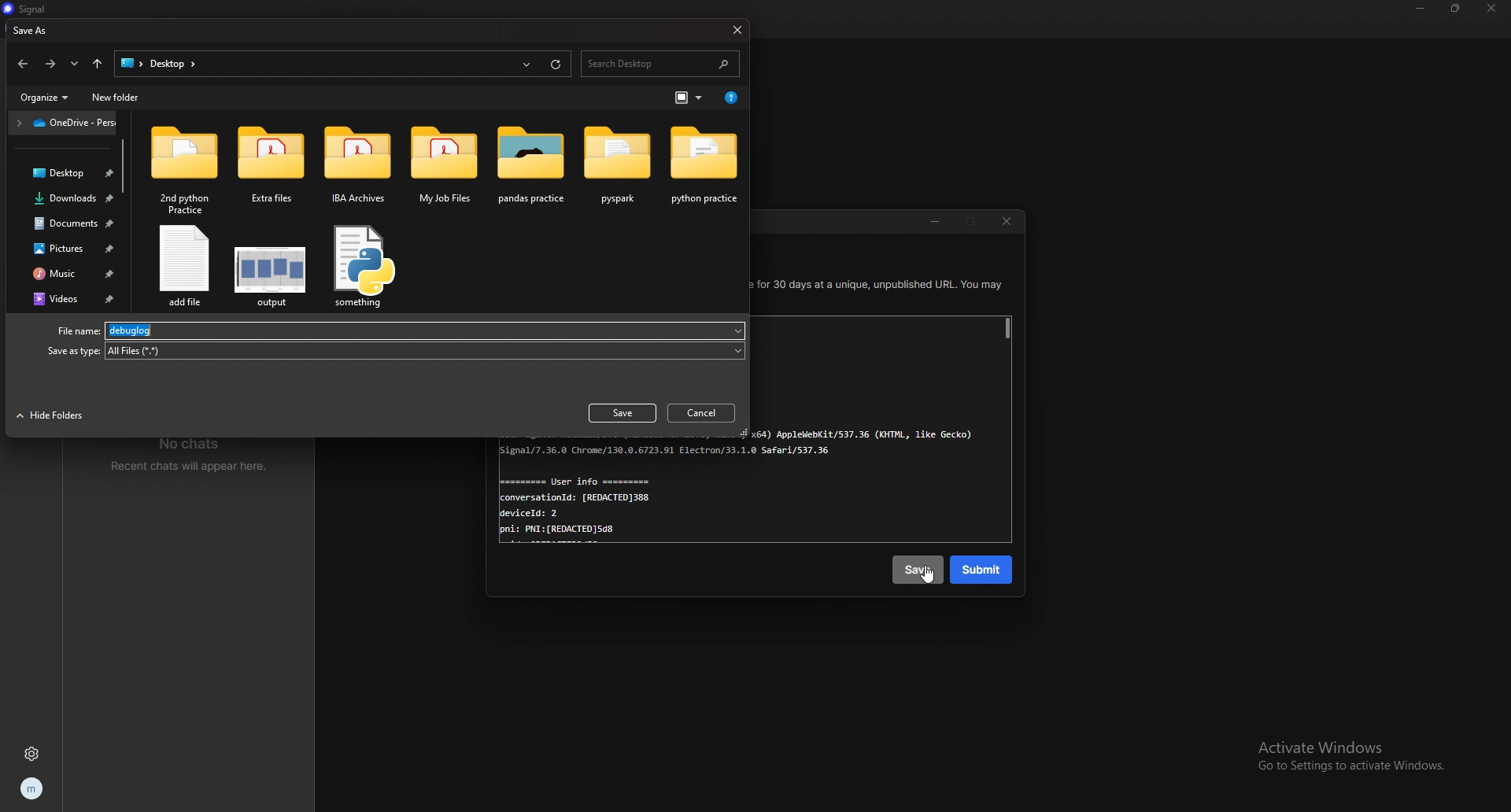 Image resolution: width=1511 pixels, height=812 pixels. Describe the element at coordinates (72, 298) in the screenshot. I see `videos` at that location.